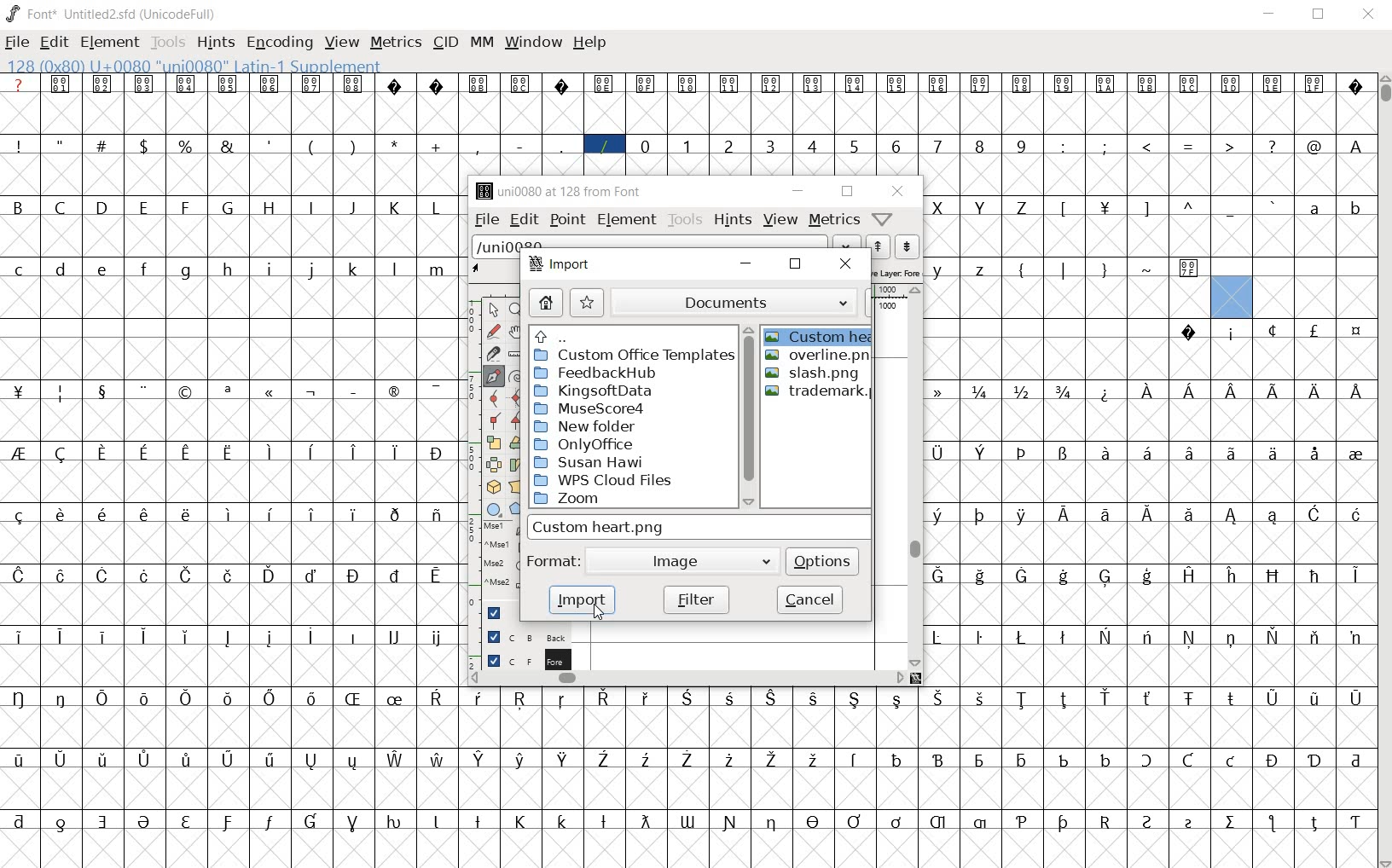  What do you see at coordinates (480, 42) in the screenshot?
I see `MM` at bounding box center [480, 42].